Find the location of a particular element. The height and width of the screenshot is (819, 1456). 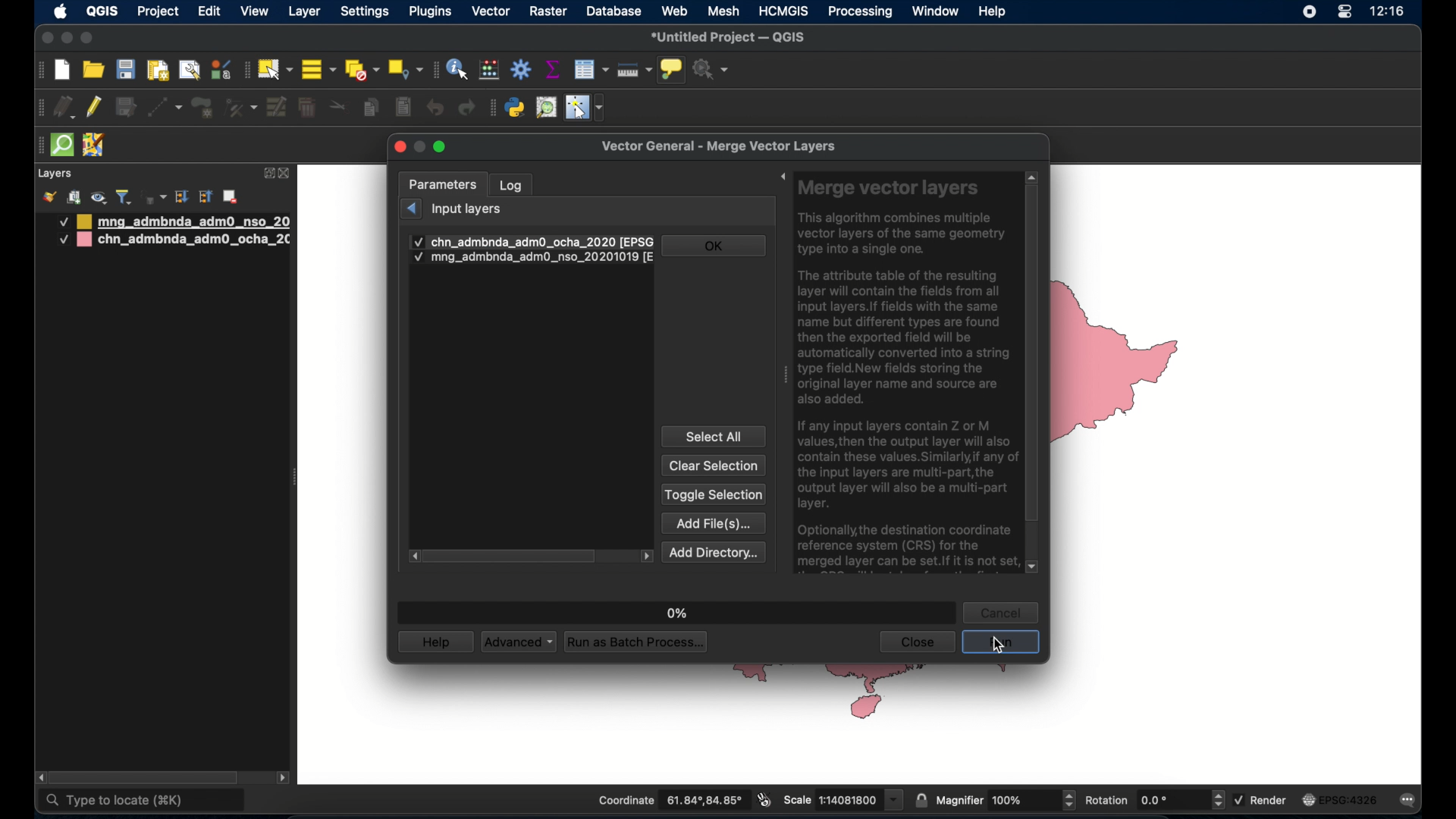

quick som is located at coordinates (61, 146).